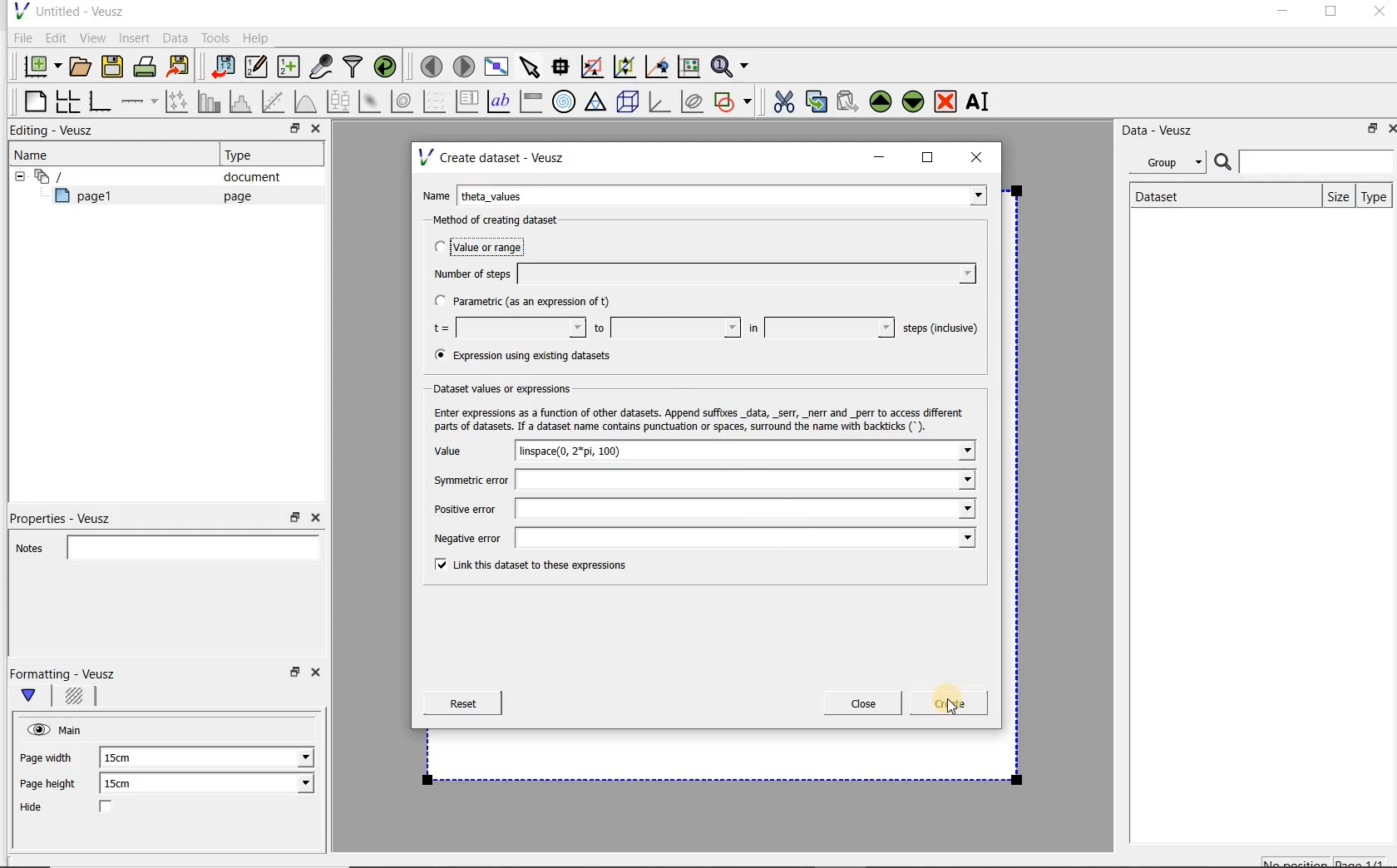  I want to click on Data, so click(176, 37).